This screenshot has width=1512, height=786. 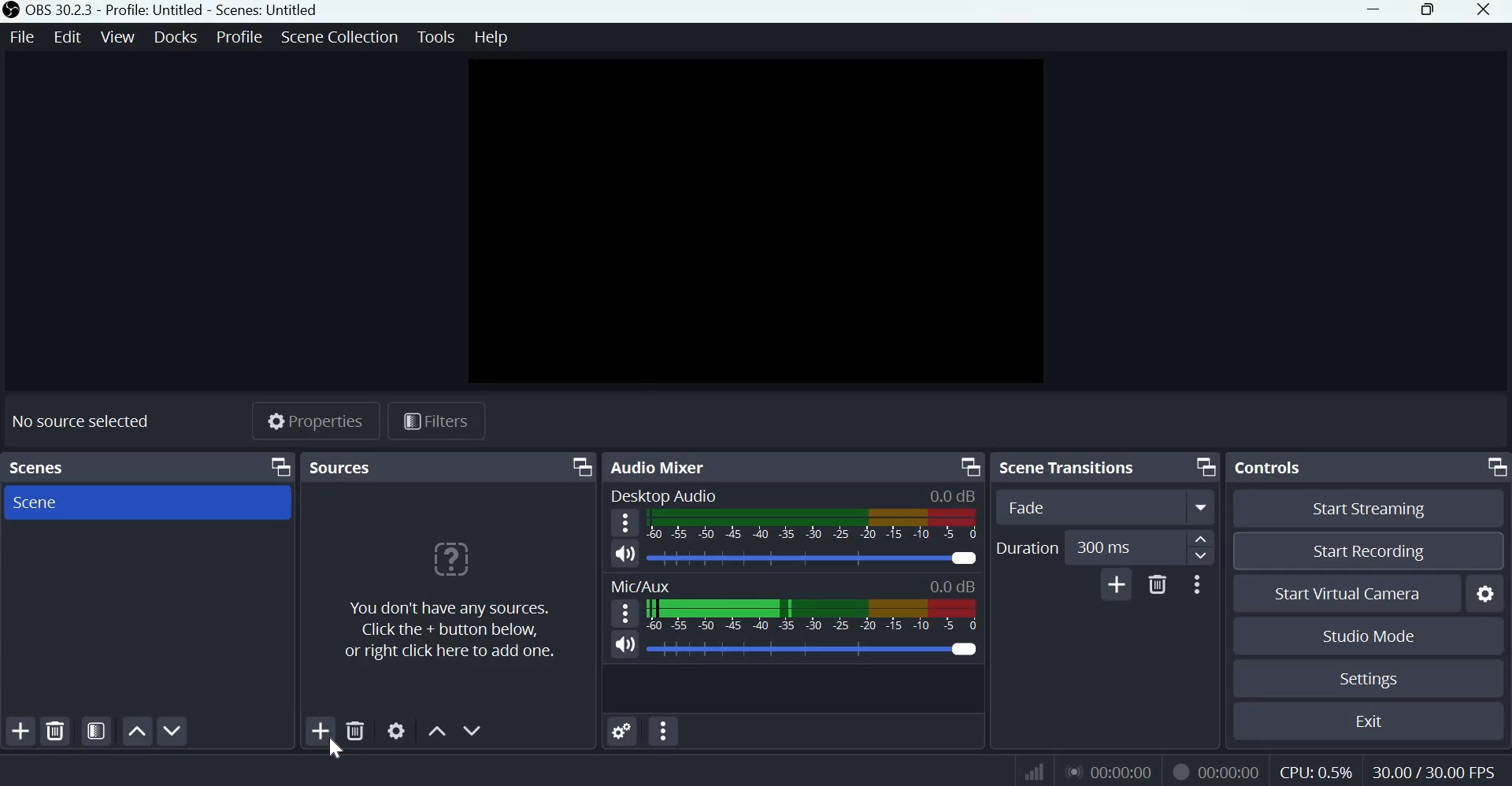 I want to click on Add source(s), so click(x=323, y=729).